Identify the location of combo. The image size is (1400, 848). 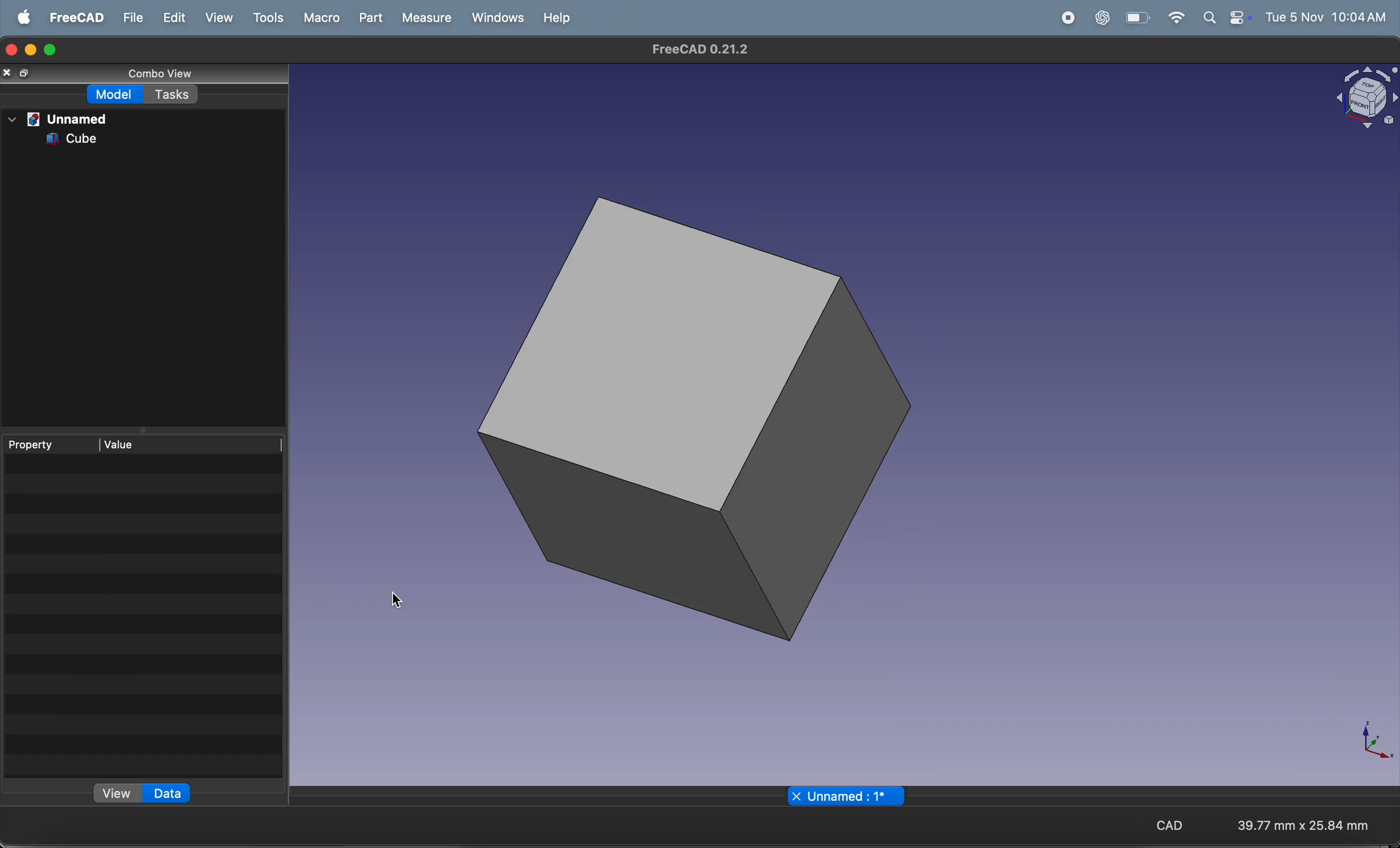
(148, 72).